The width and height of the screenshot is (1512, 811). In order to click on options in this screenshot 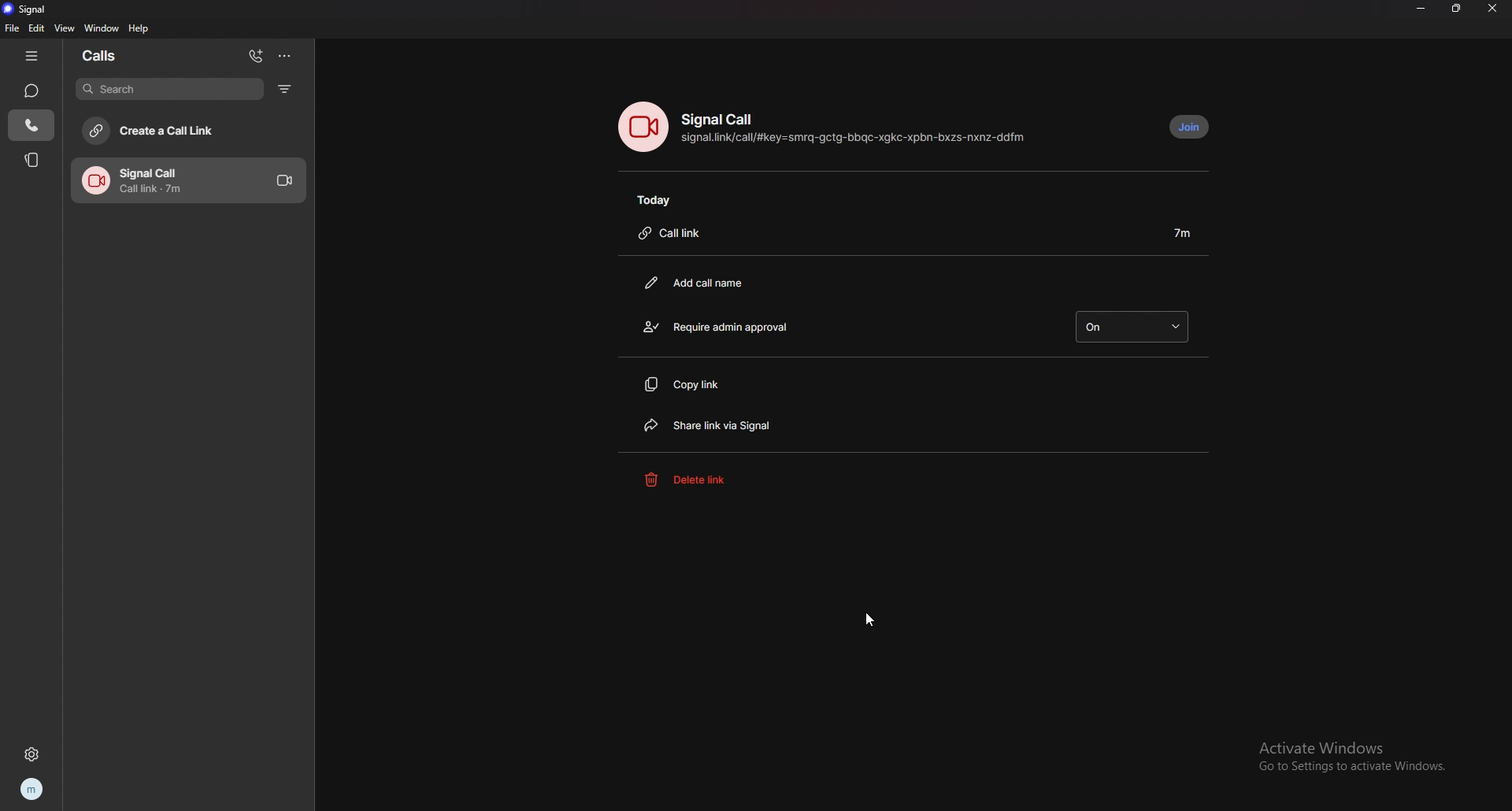, I will do `click(287, 55)`.